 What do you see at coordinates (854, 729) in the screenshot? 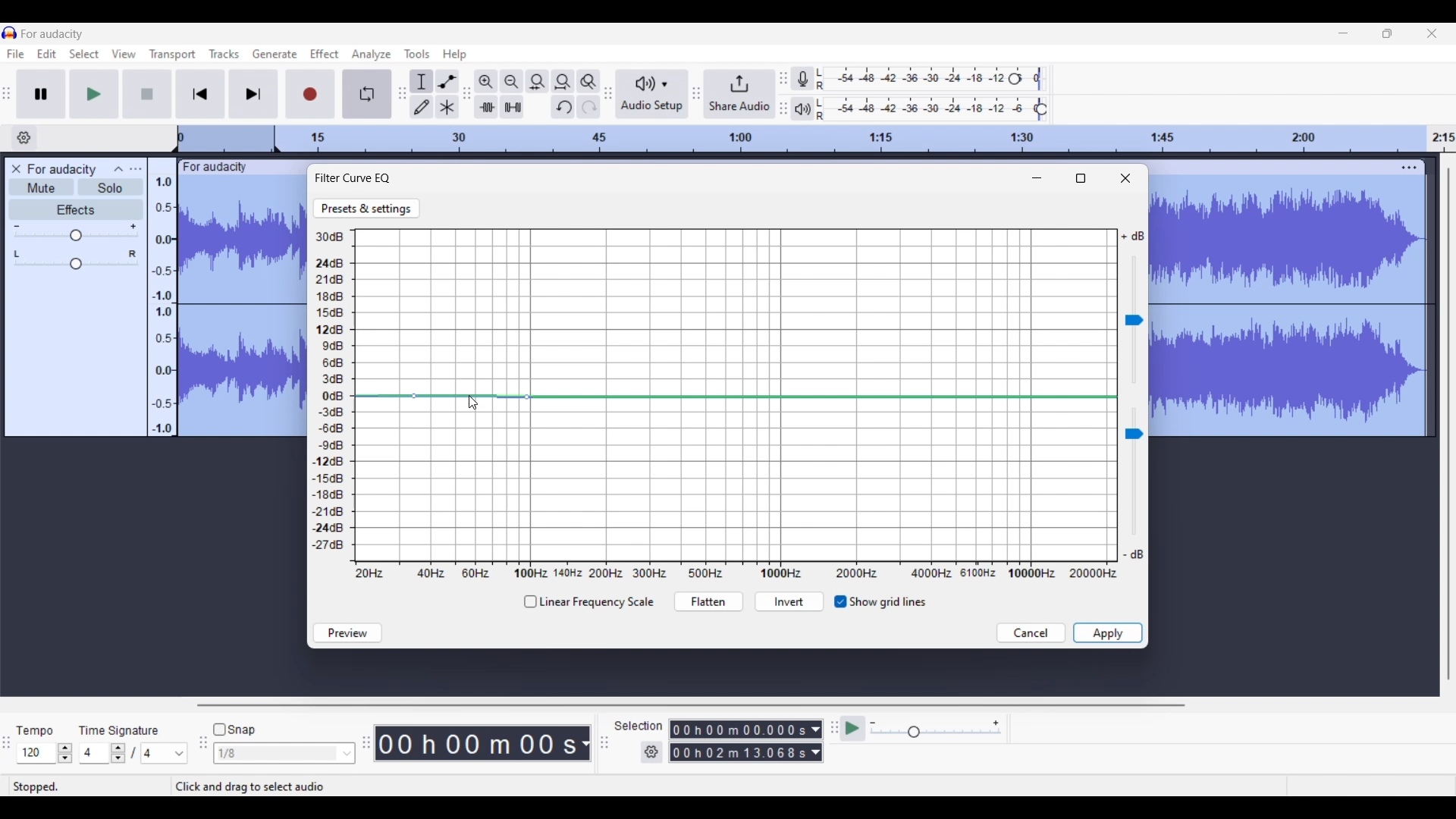
I see `Play-at-speed/Play-at-speed once` at bounding box center [854, 729].